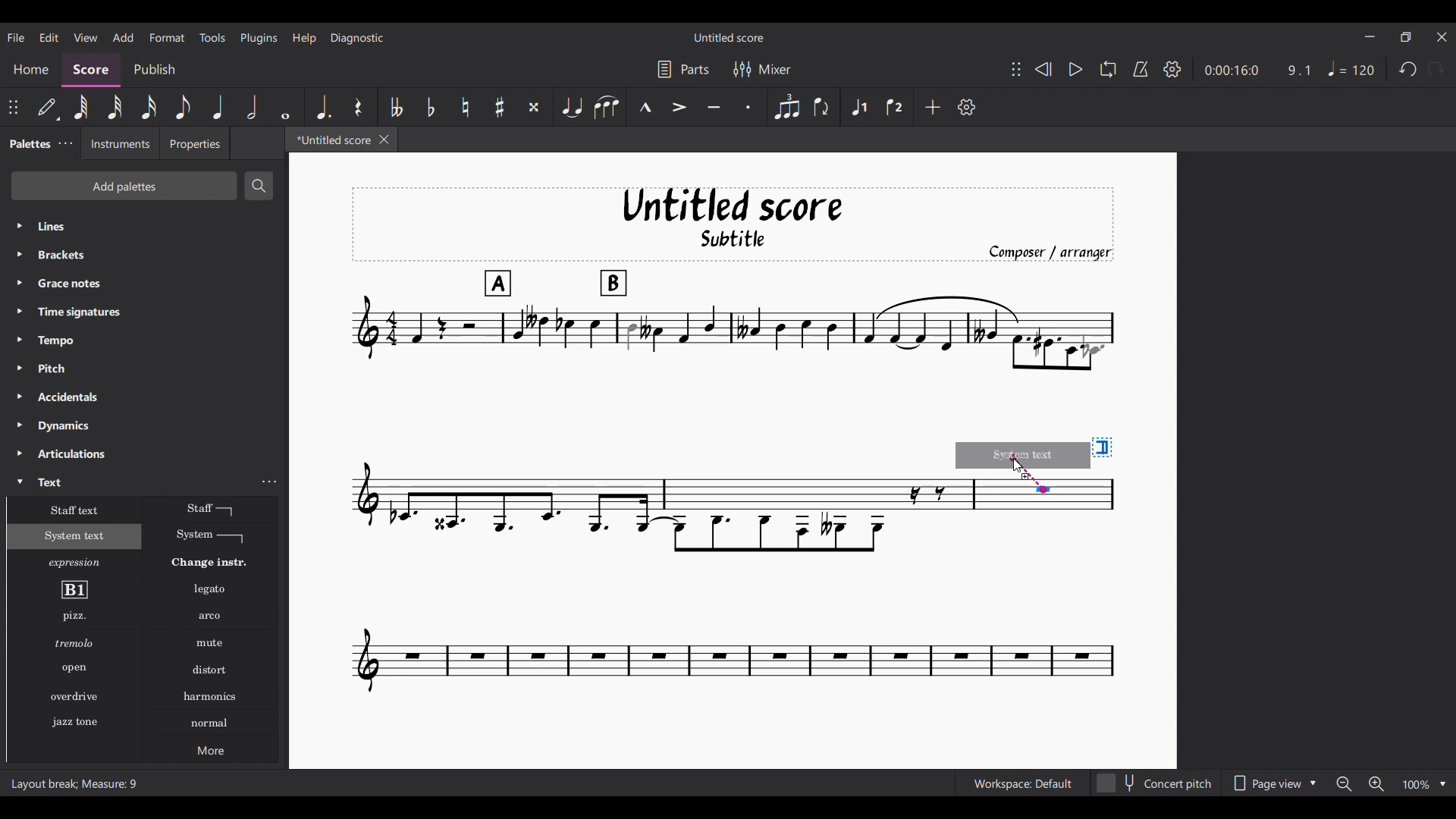  Describe the element at coordinates (74, 563) in the screenshot. I see `Expression text` at that location.